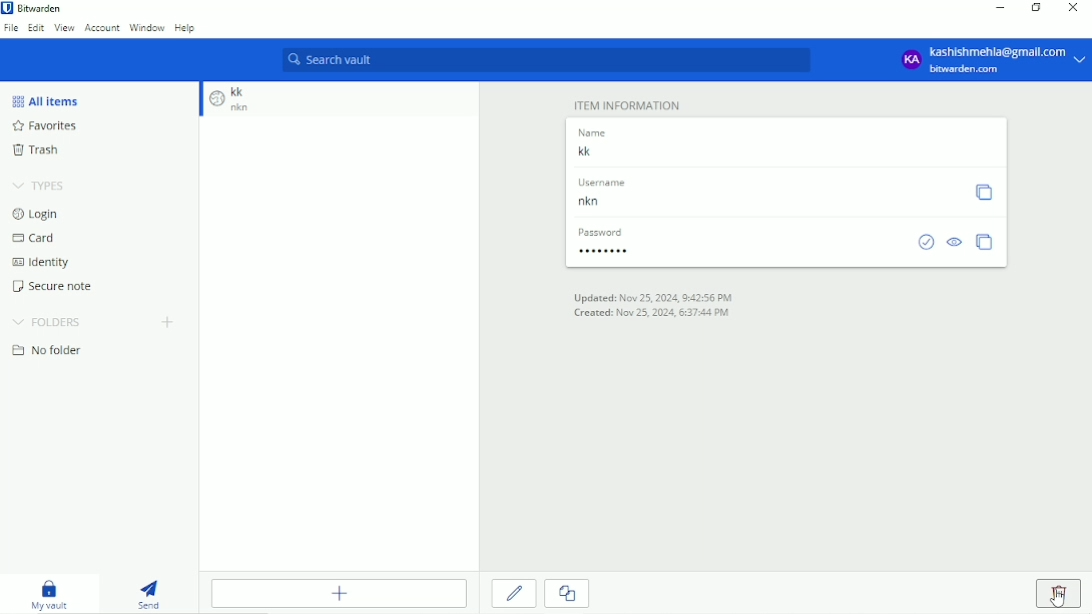  What do you see at coordinates (38, 150) in the screenshot?
I see `Trash` at bounding box center [38, 150].